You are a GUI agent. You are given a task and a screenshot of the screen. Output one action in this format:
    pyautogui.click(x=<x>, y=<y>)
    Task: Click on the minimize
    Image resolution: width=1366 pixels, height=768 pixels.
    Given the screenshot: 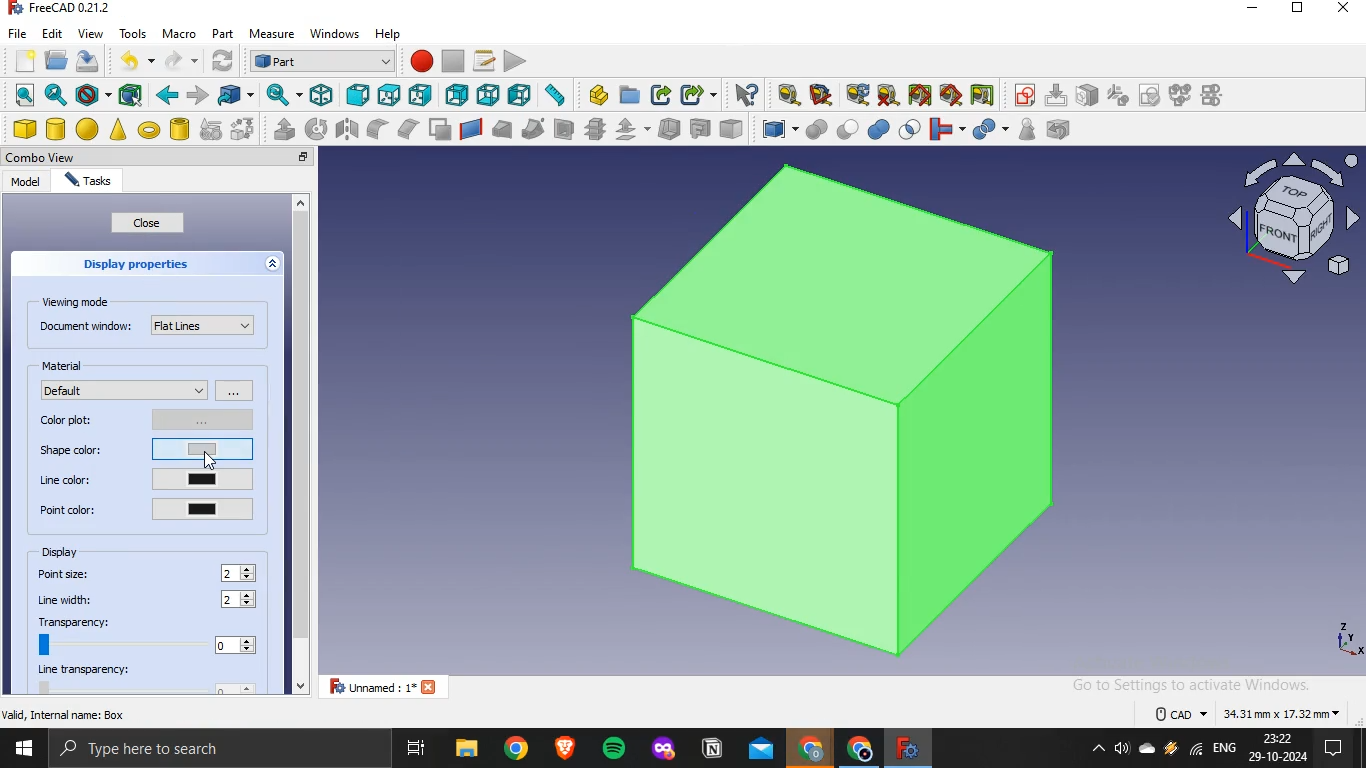 What is the action you would take?
    pyautogui.click(x=1252, y=9)
    